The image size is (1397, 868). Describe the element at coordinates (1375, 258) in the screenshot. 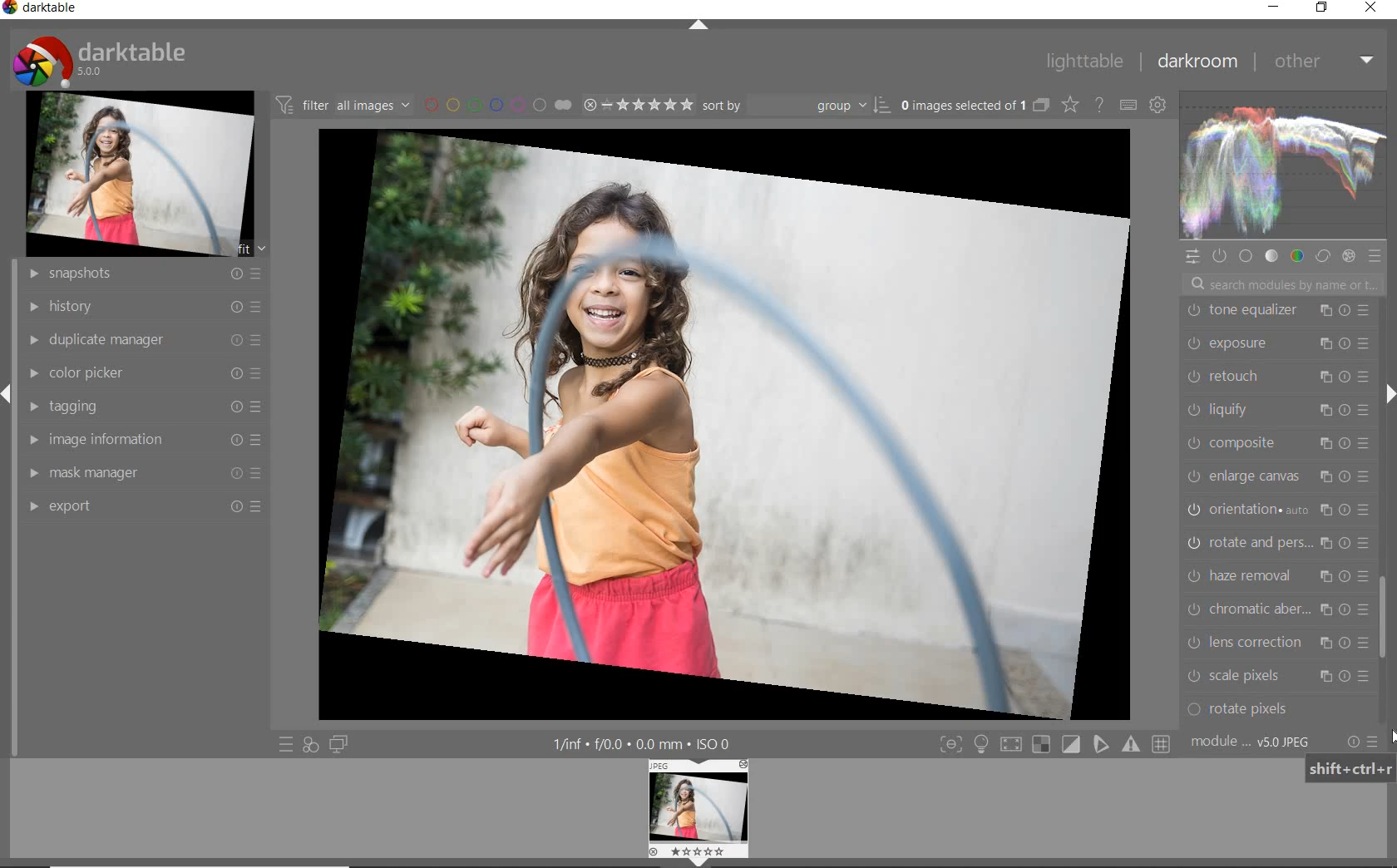

I see `preset ` at that location.